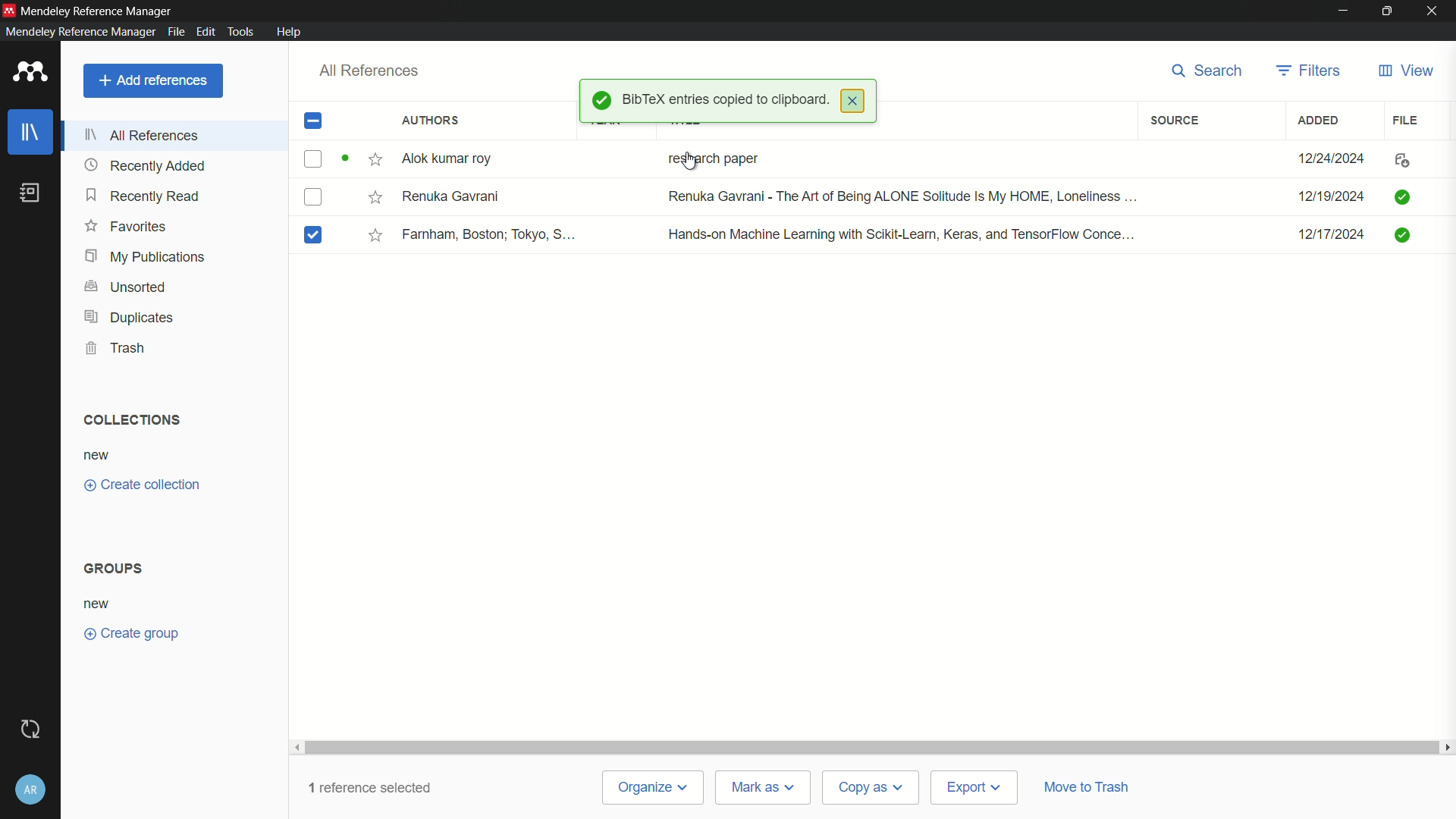  I want to click on Checkbox, so click(327, 158).